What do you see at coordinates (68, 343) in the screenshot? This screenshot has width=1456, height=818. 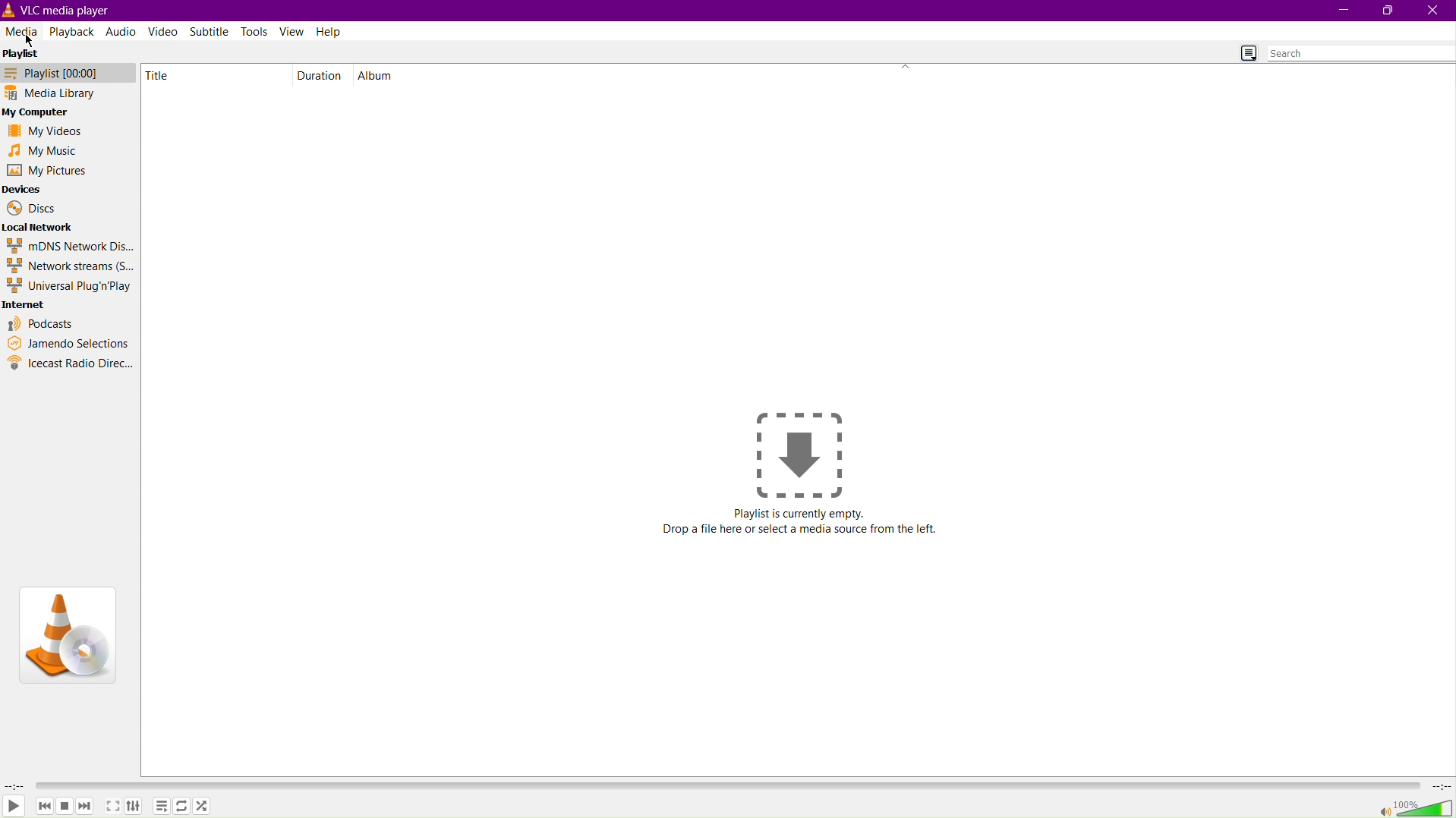 I see `Jamenda Selections` at bounding box center [68, 343].